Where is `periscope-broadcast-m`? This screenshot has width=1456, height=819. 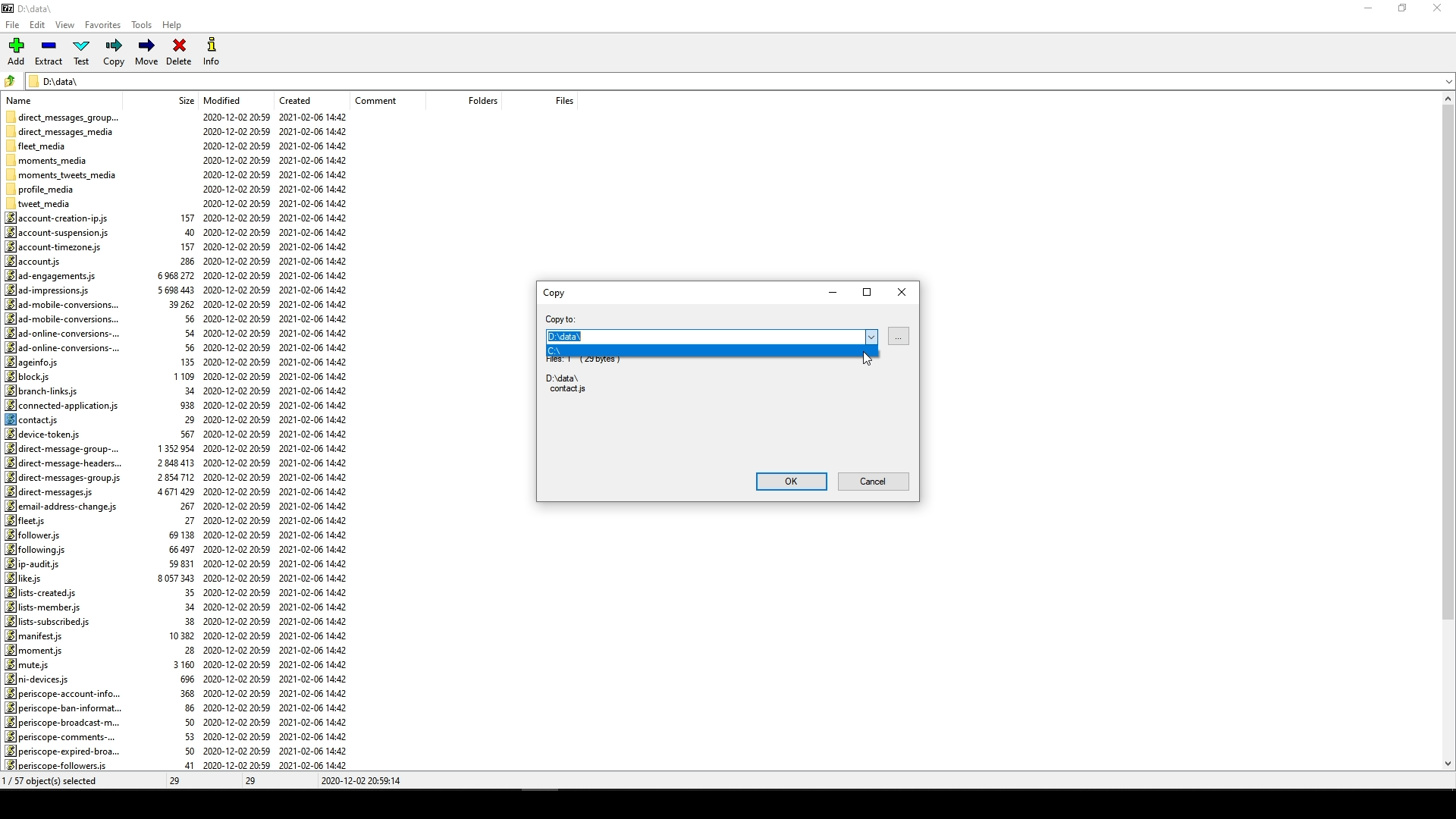
periscope-broadcast-m is located at coordinates (60, 723).